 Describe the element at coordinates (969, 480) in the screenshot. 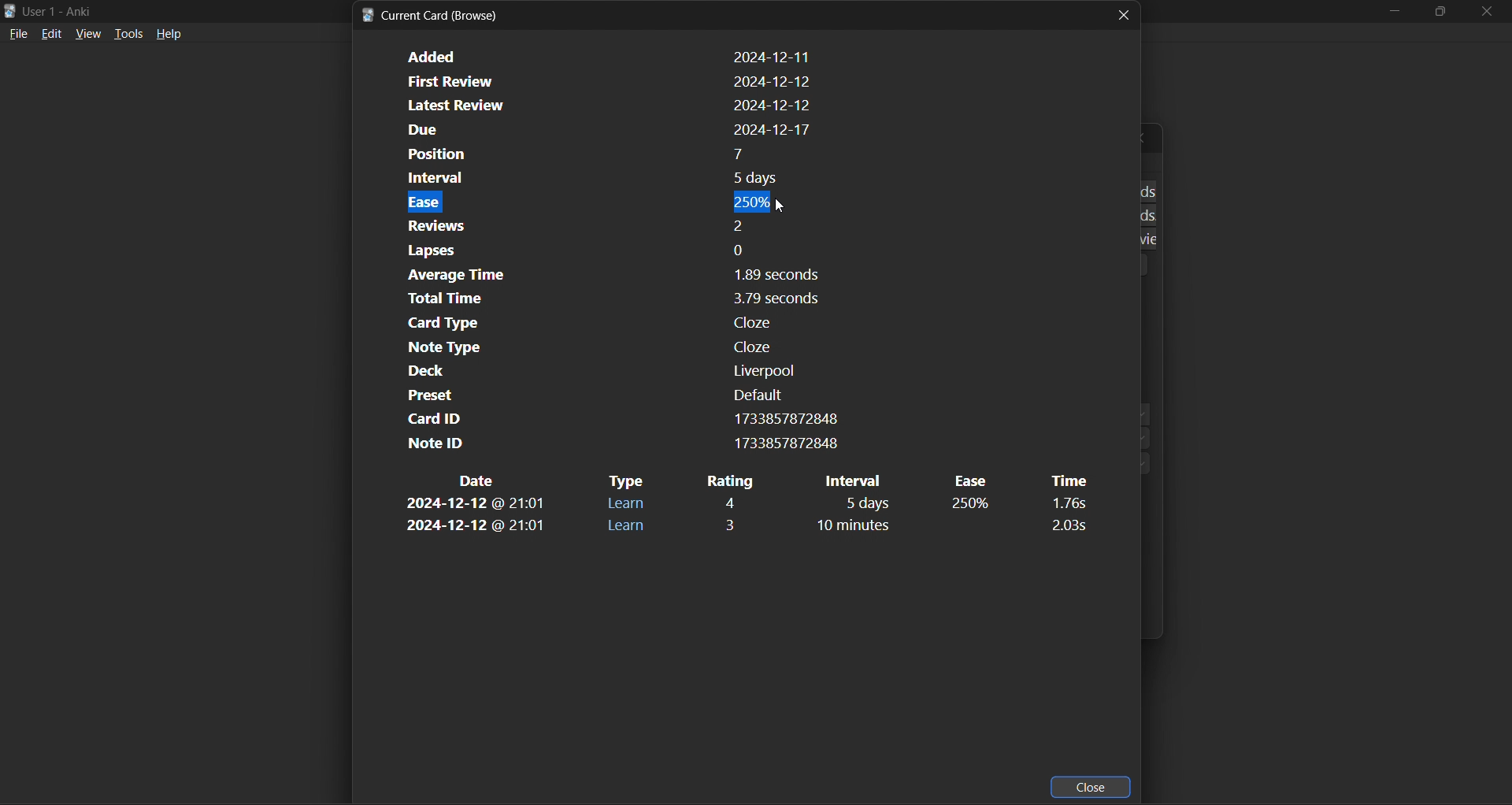

I see `ease` at that location.